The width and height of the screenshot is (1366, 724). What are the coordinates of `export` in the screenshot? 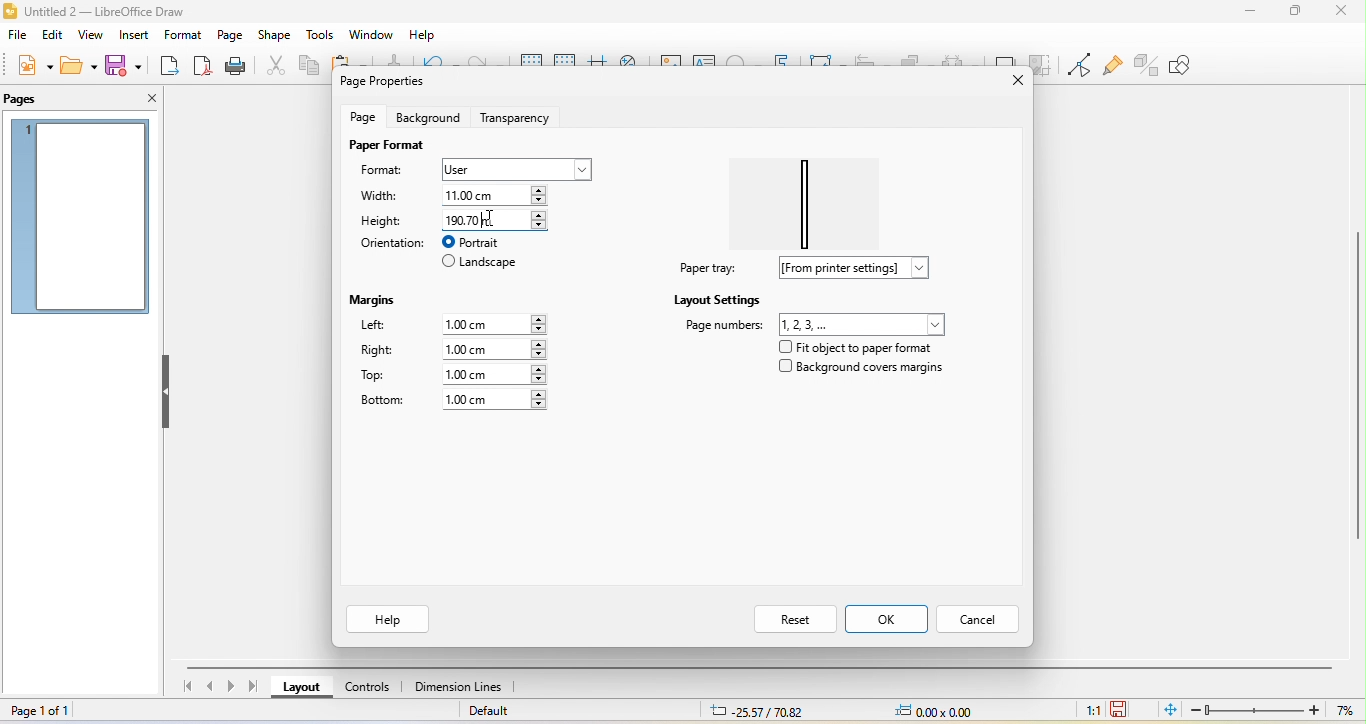 It's located at (170, 67).